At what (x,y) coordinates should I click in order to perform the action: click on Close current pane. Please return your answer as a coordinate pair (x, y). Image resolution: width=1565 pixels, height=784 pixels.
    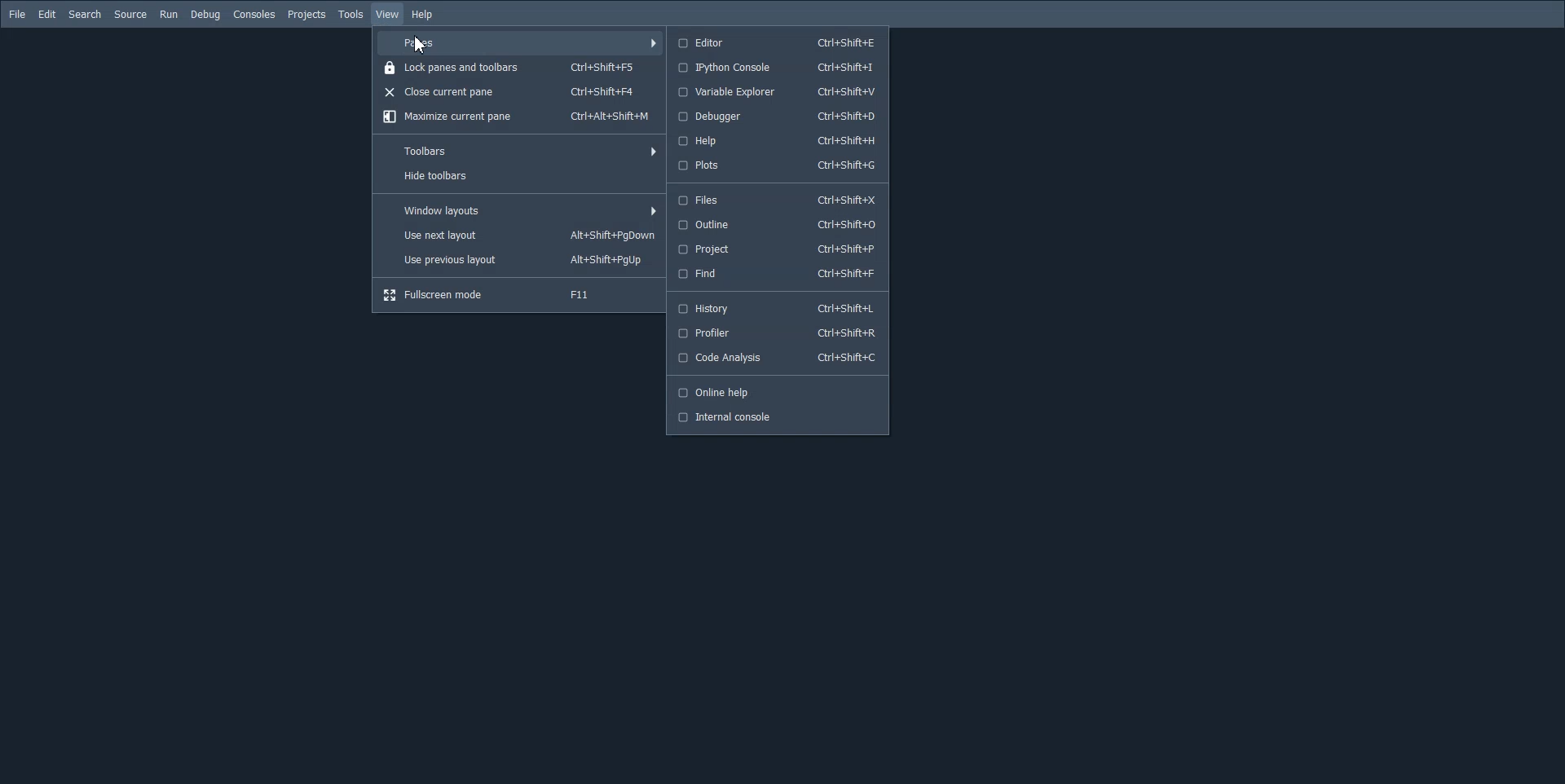
    Looking at the image, I should click on (518, 91).